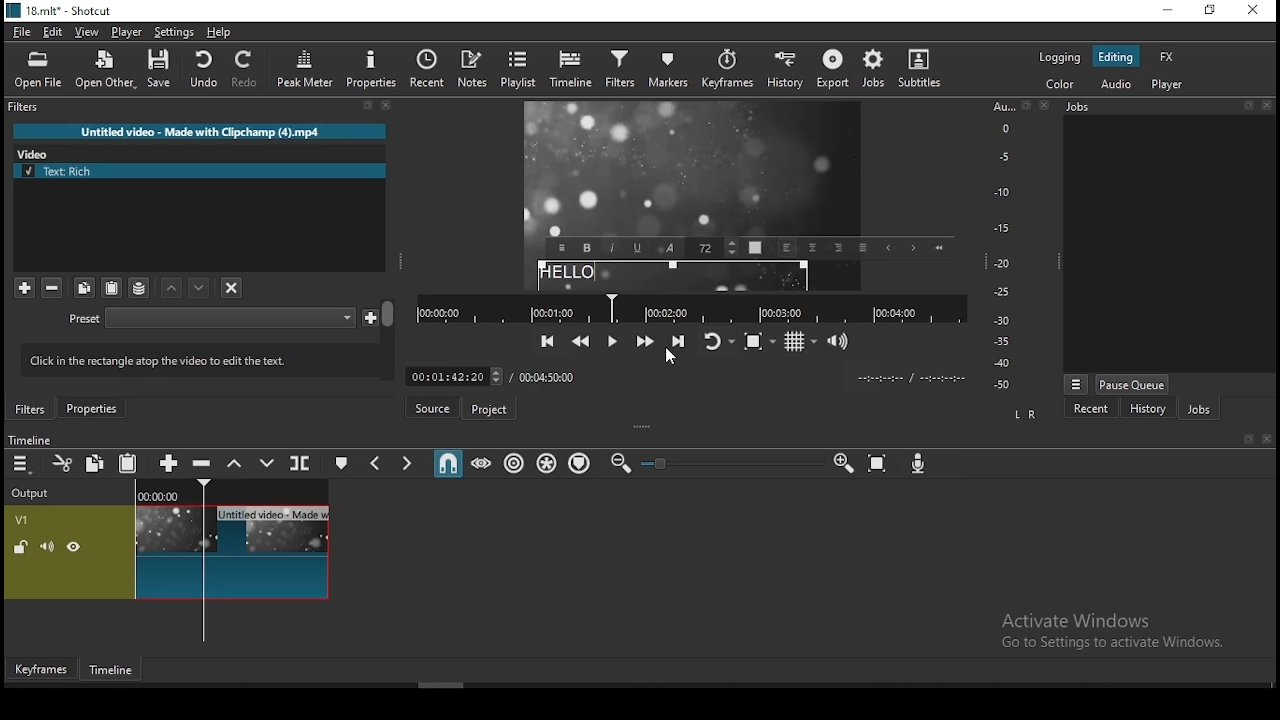 Image resolution: width=1280 pixels, height=720 pixels. I want to click on Save custom preset, so click(371, 316).